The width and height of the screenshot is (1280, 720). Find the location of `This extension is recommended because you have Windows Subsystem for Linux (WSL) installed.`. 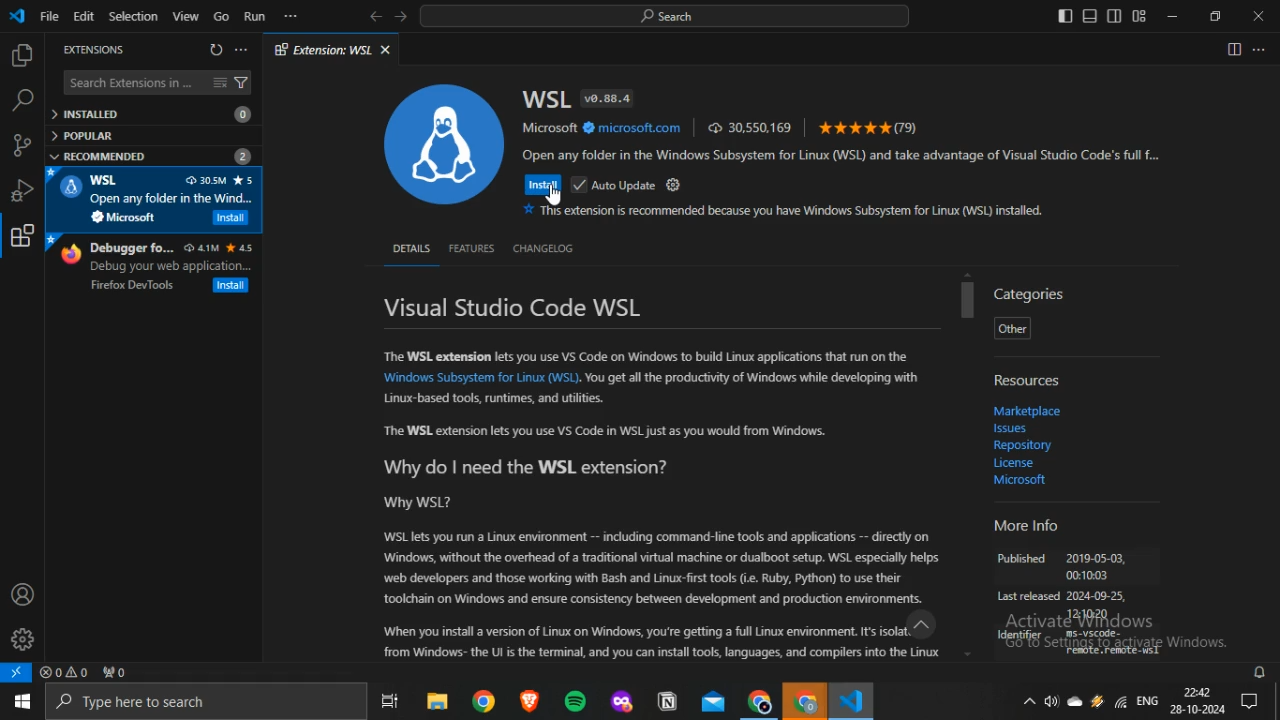

This extension is recommended because you have Windows Subsystem for Linux (WSL) installed. is located at coordinates (786, 210).